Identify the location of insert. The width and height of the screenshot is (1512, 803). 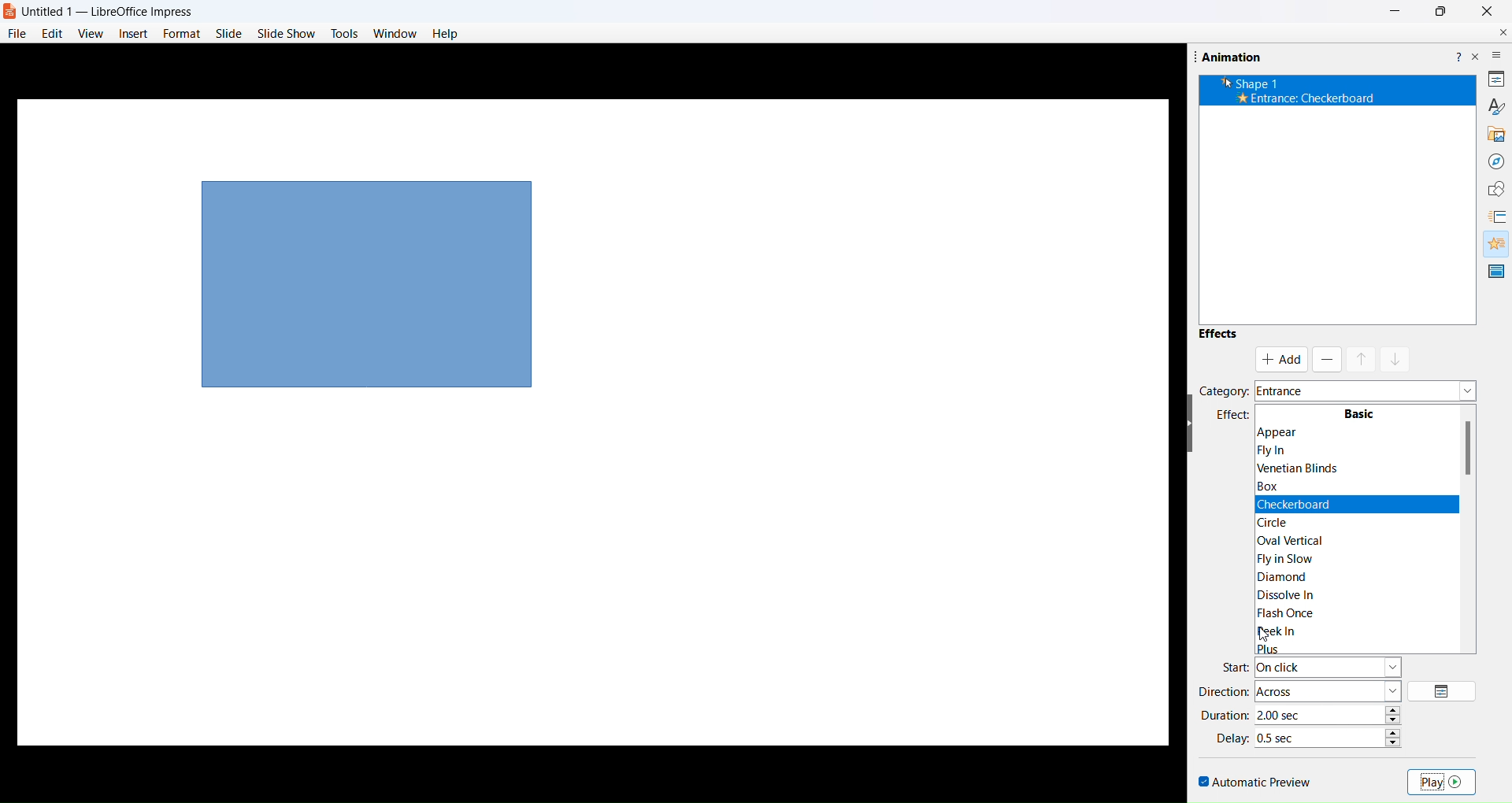
(133, 32).